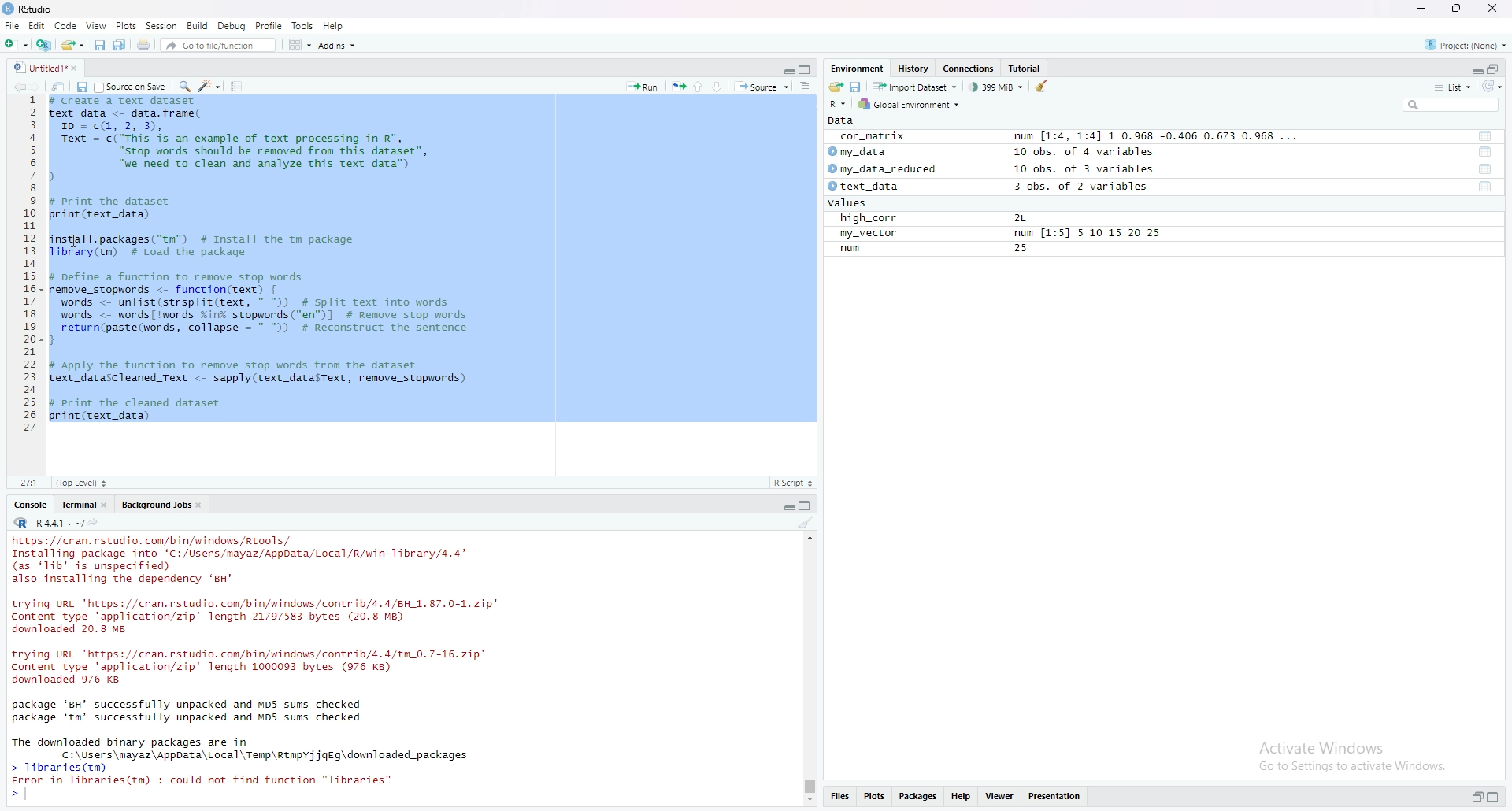  I want to click on my_data_reduced, so click(882, 168).